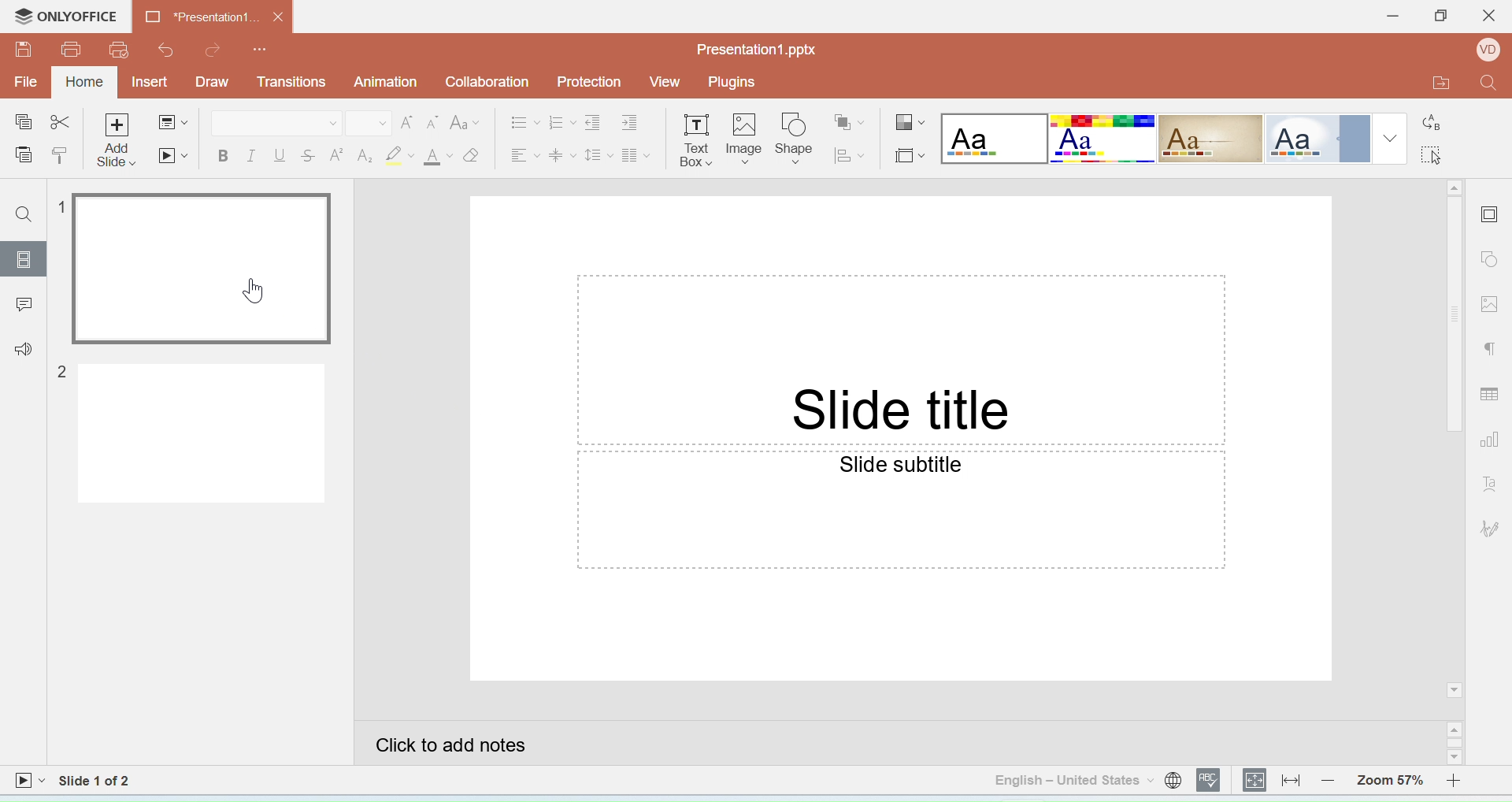 Image resolution: width=1512 pixels, height=802 pixels. What do you see at coordinates (23, 259) in the screenshot?
I see `Slides` at bounding box center [23, 259].